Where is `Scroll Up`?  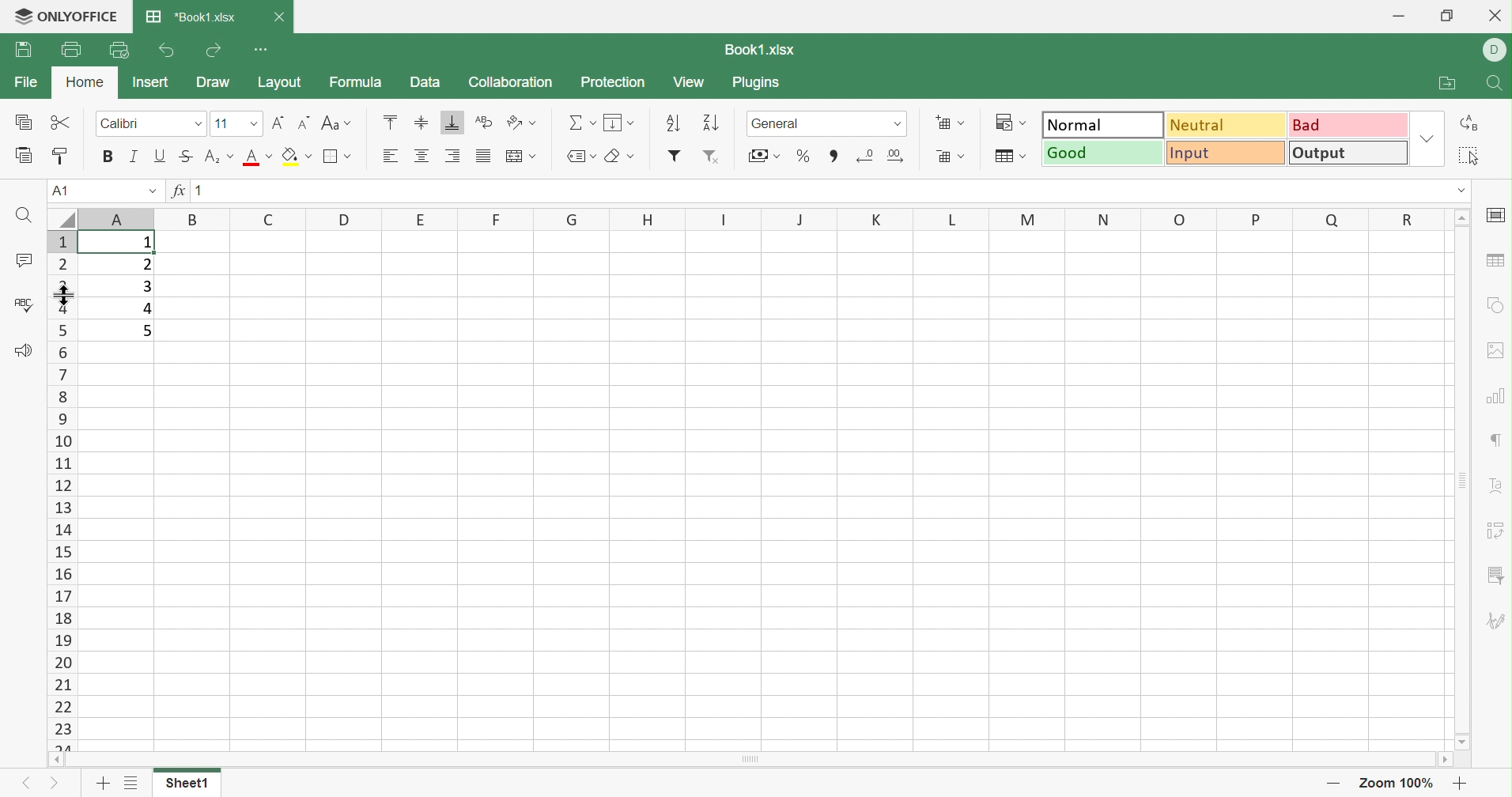
Scroll Up is located at coordinates (1462, 217).